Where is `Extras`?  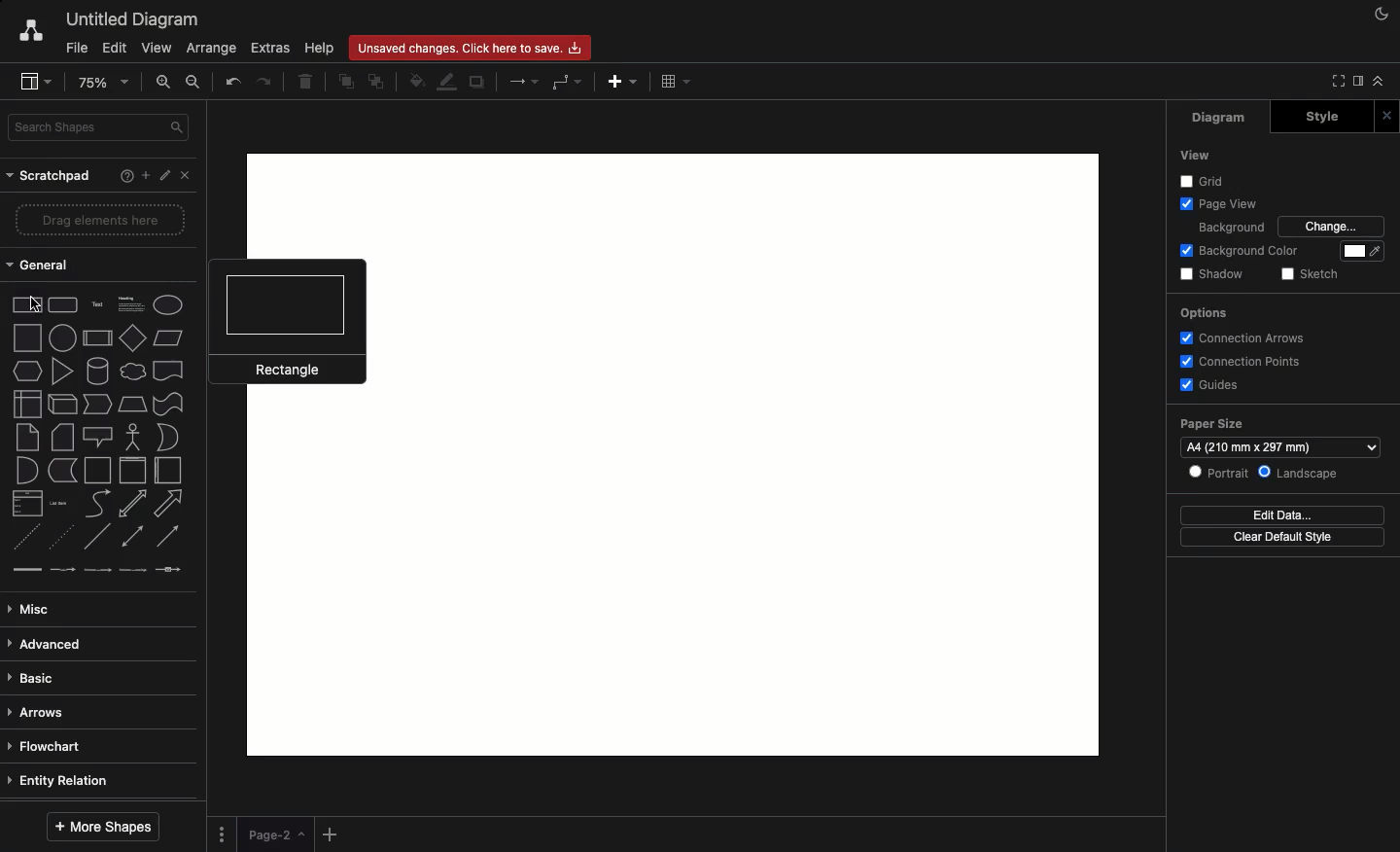 Extras is located at coordinates (268, 48).